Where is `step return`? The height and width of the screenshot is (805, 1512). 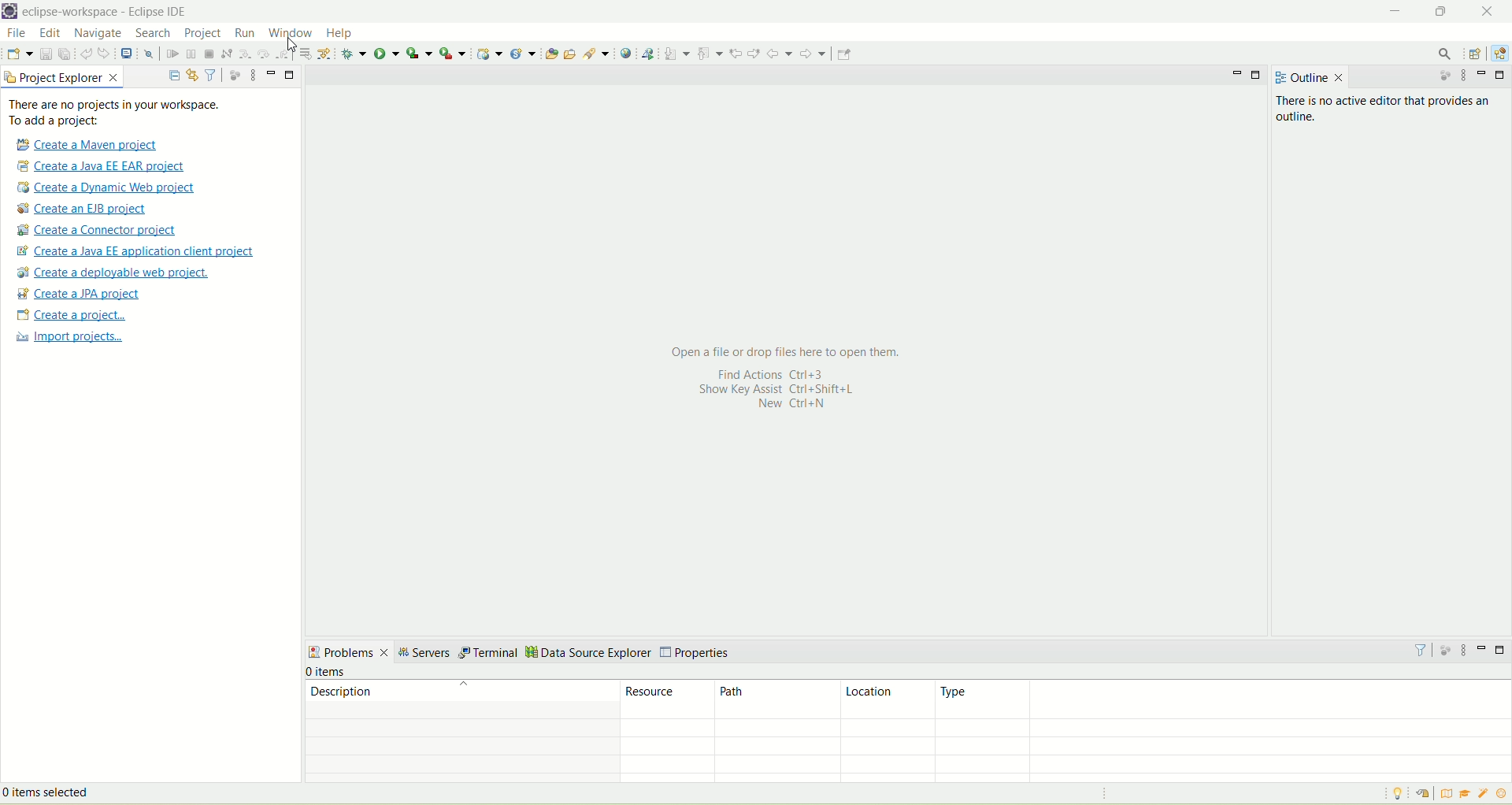 step return is located at coordinates (283, 54).